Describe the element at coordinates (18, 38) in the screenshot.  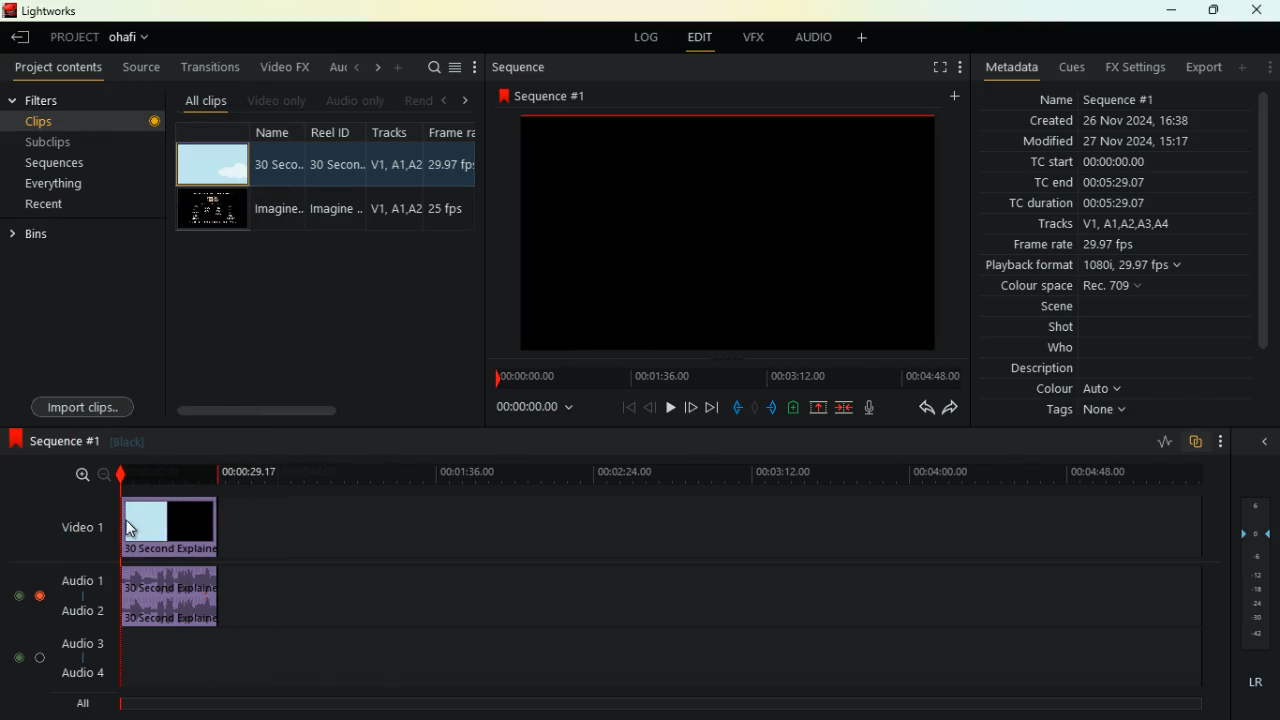
I see `back` at that location.